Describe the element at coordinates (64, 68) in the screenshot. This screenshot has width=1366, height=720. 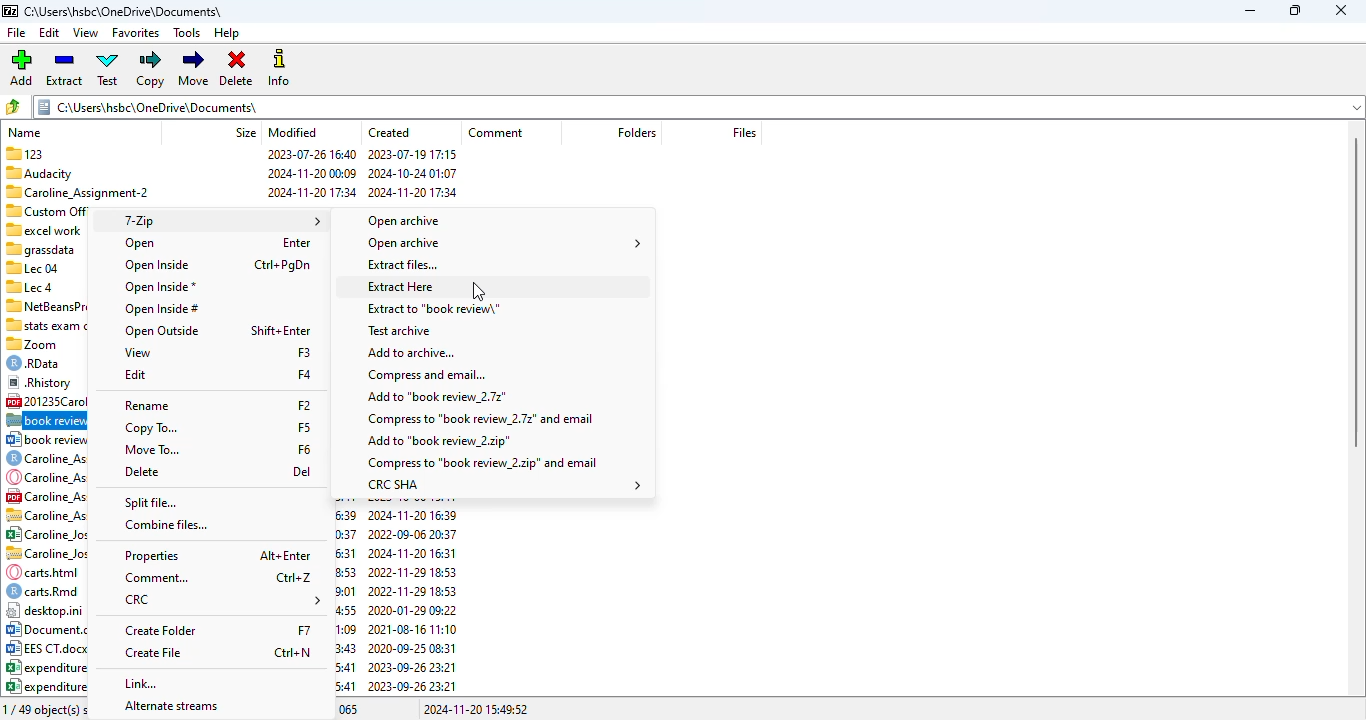
I see `extract` at that location.